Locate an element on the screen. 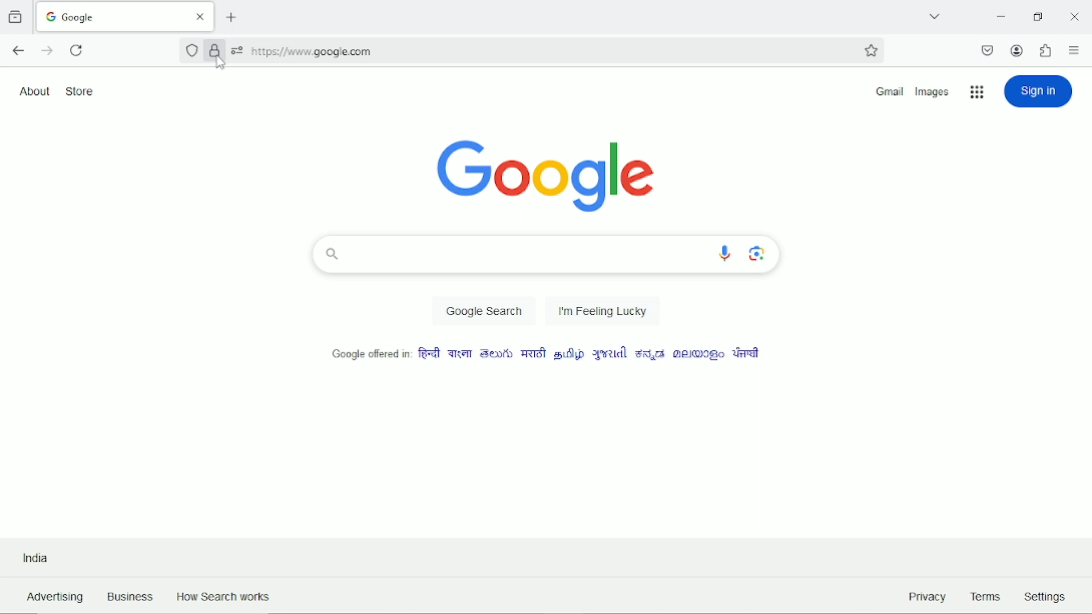 The image size is (1092, 614). About is located at coordinates (34, 90).